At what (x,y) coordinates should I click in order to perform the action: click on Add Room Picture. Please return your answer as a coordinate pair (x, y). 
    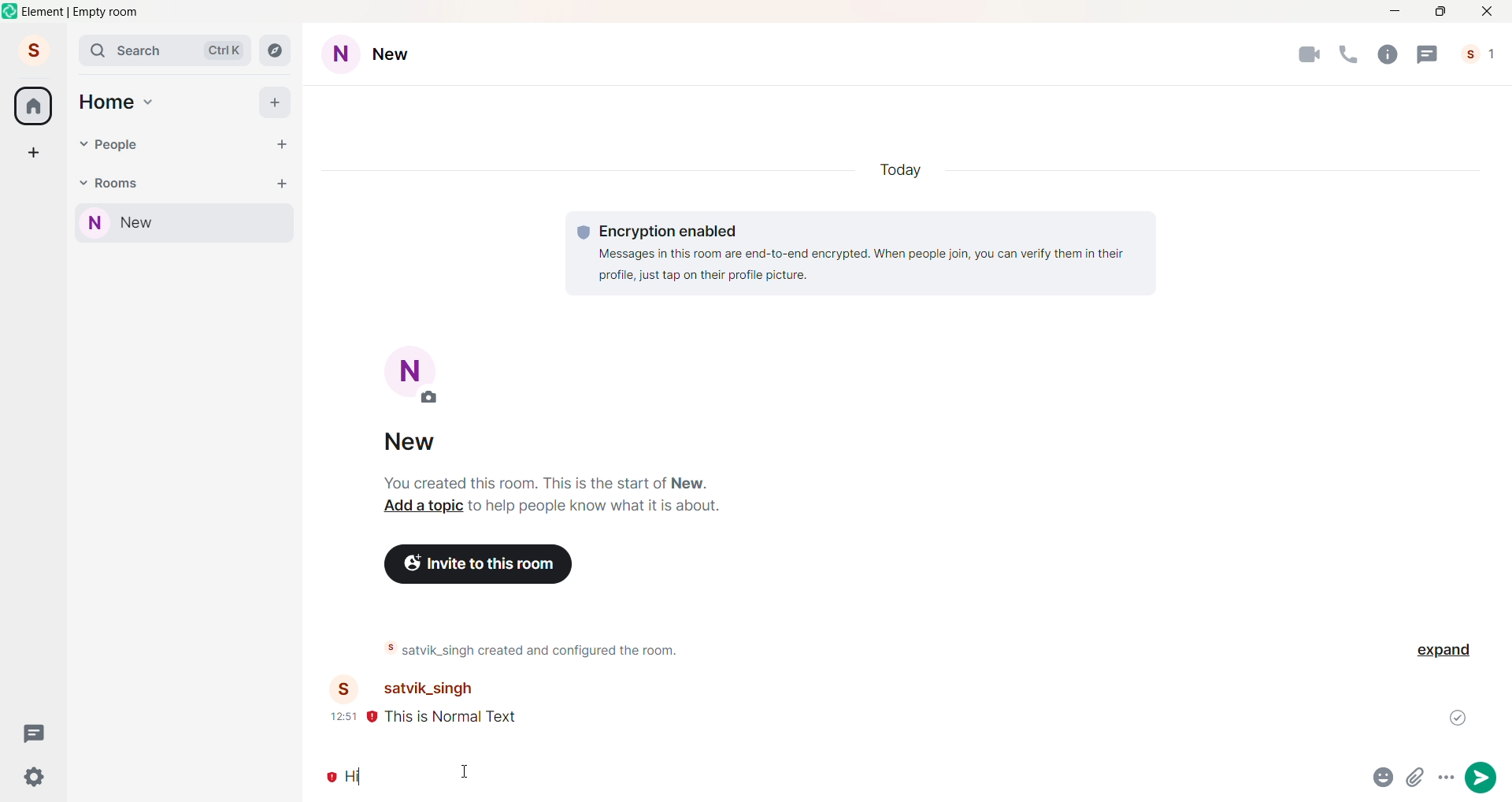
    Looking at the image, I should click on (416, 377).